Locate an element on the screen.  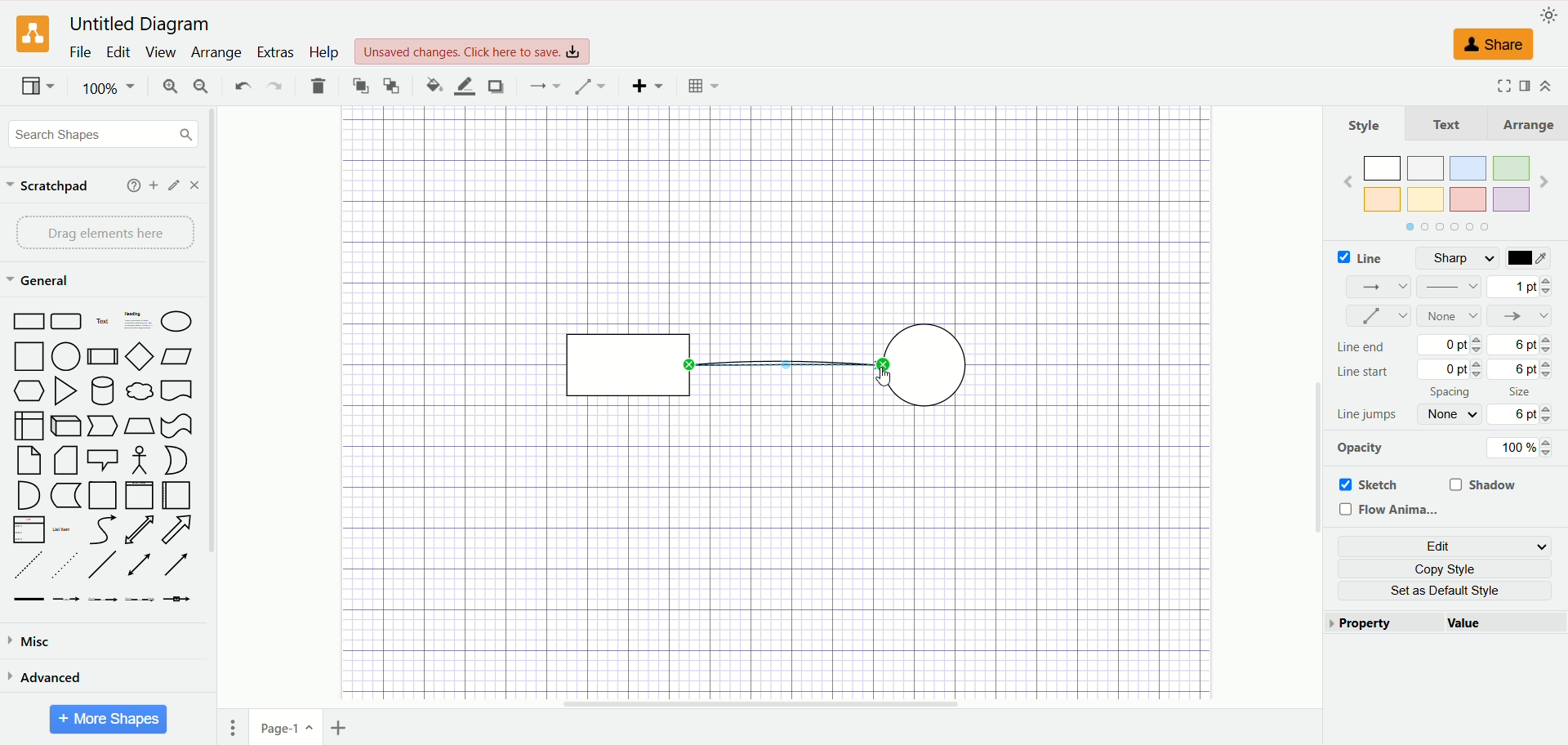
Fullscreen is located at coordinates (1500, 87).